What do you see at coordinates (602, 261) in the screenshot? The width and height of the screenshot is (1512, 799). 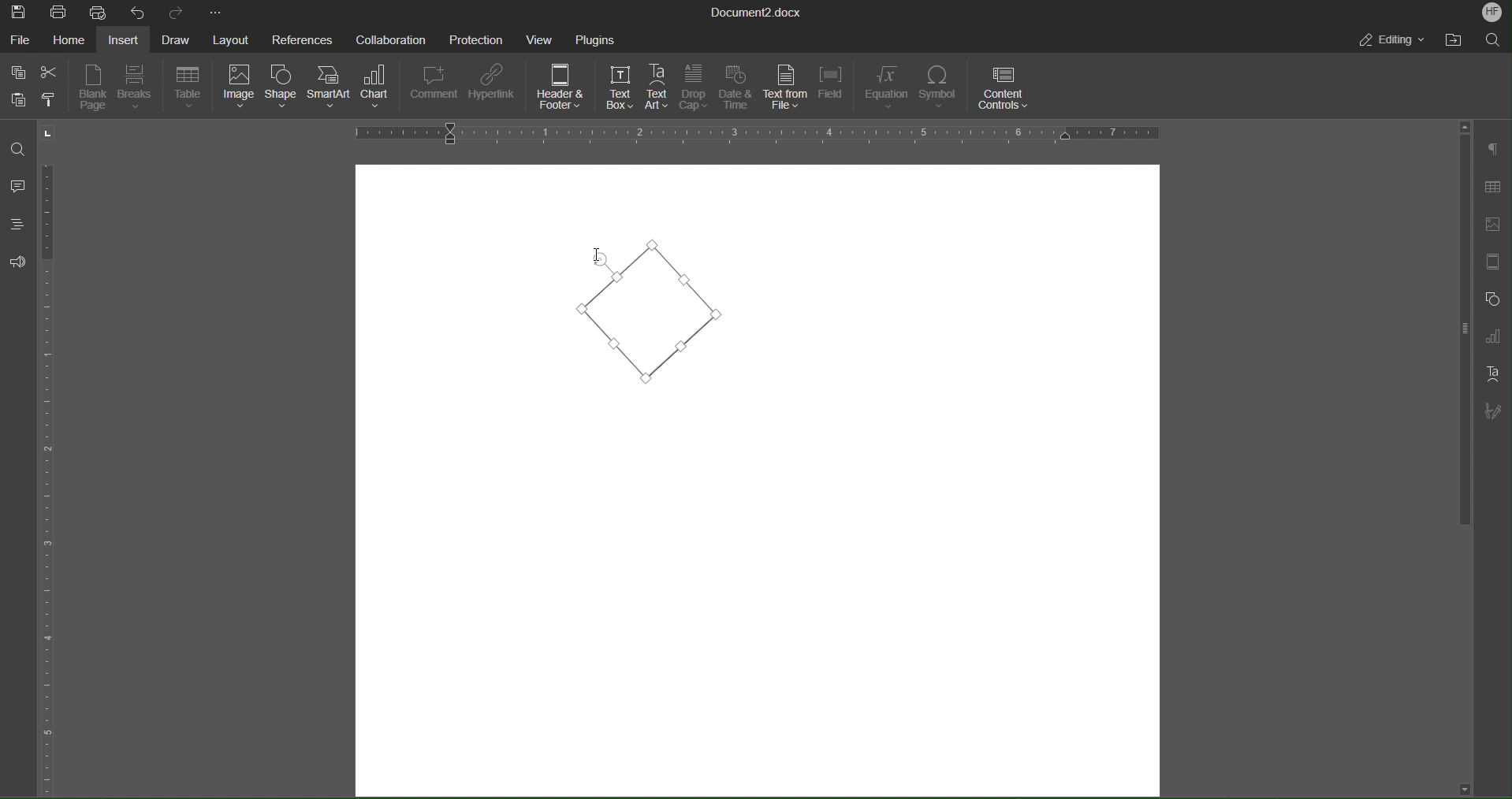 I see `Cursor` at bounding box center [602, 261].